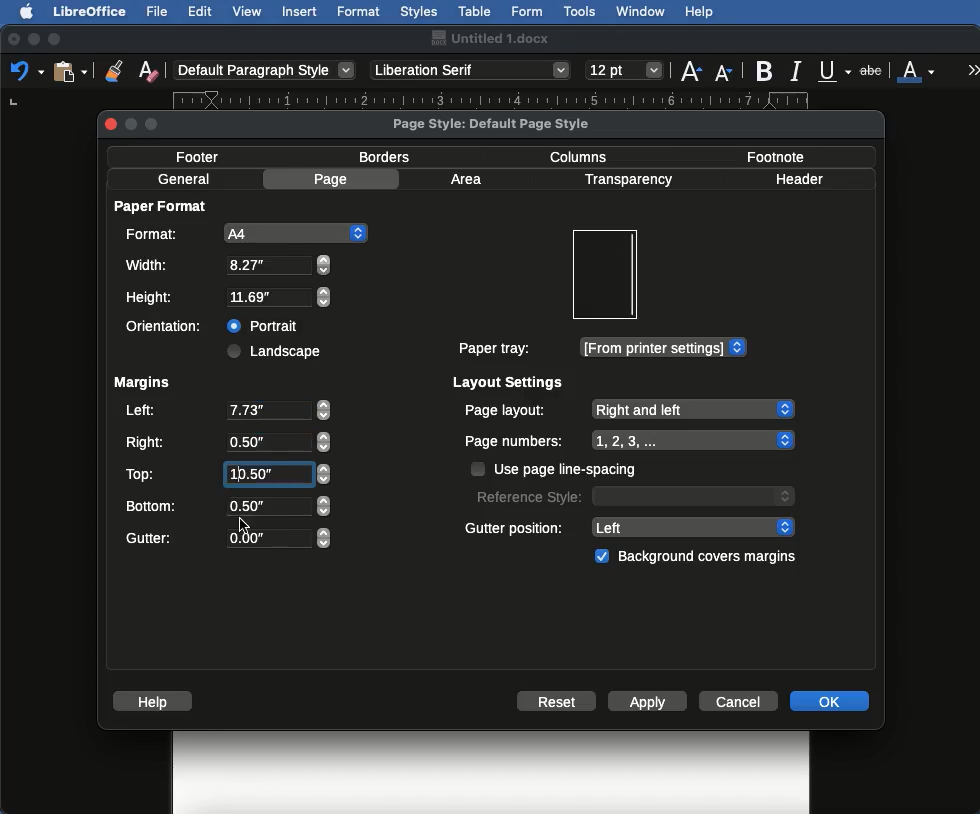 Image resolution: width=980 pixels, height=814 pixels. I want to click on File, so click(159, 11).